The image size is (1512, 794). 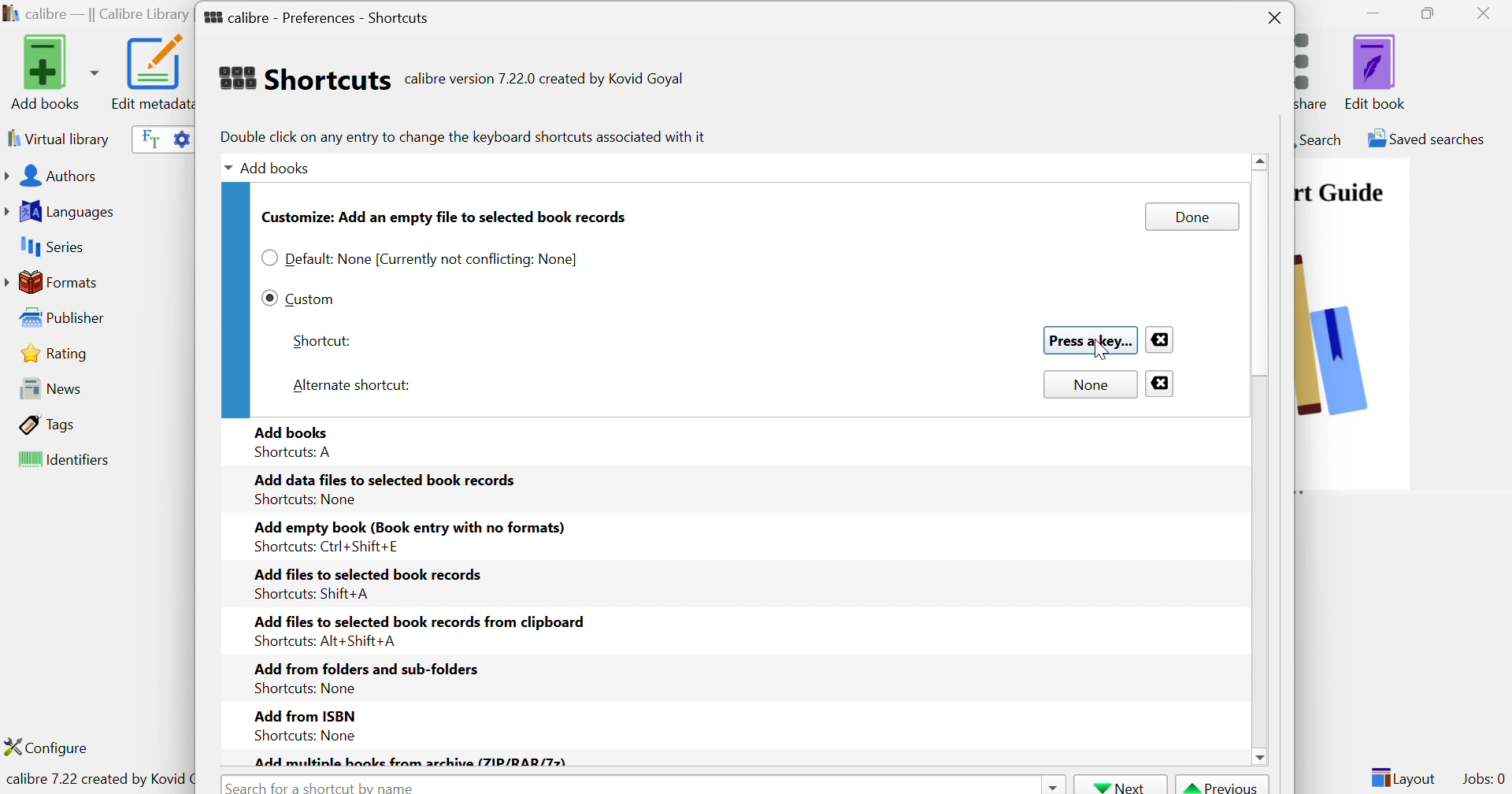 I want to click on Advanced search, so click(x=180, y=137).